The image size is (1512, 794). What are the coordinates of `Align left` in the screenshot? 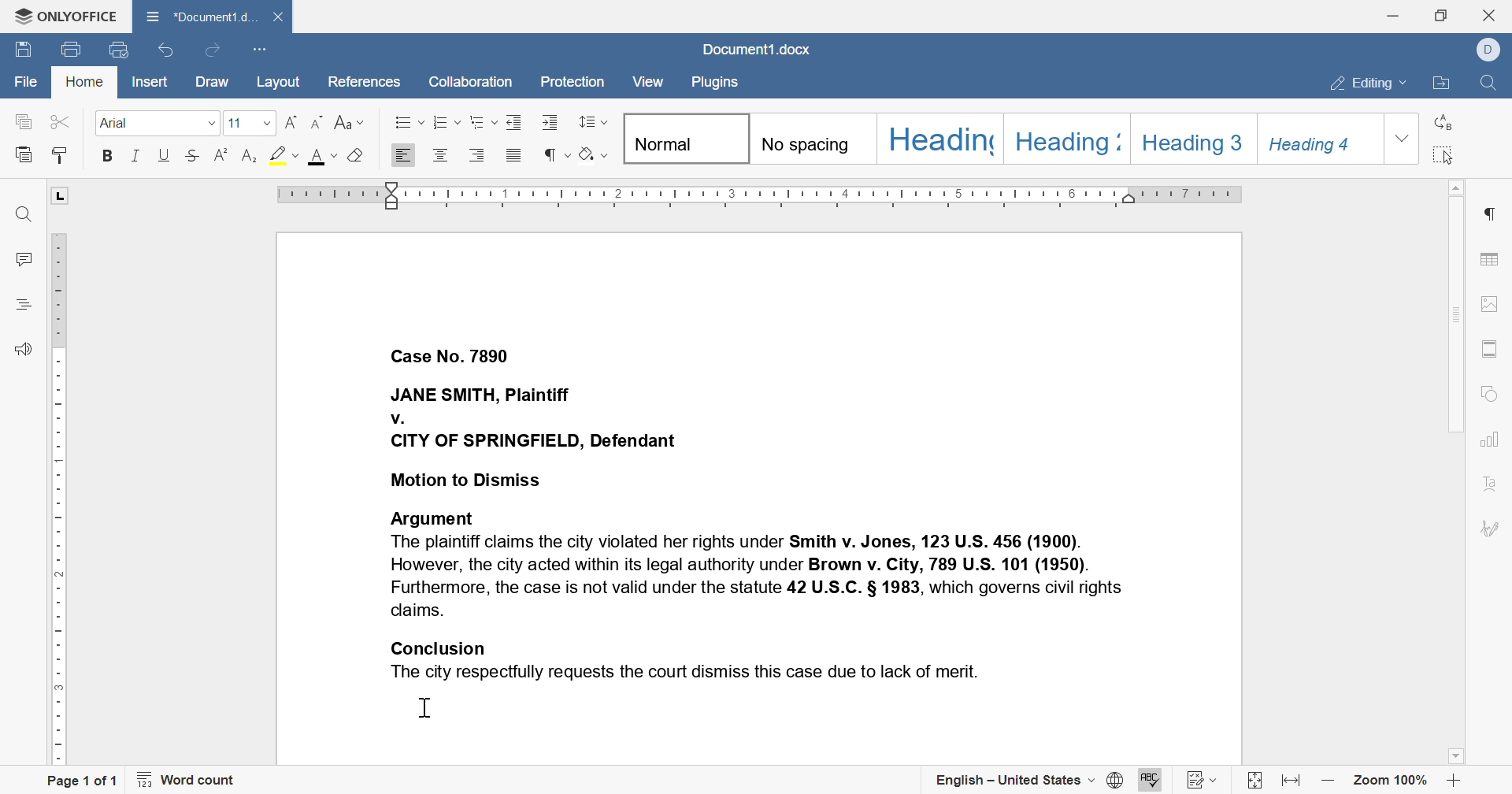 It's located at (478, 154).